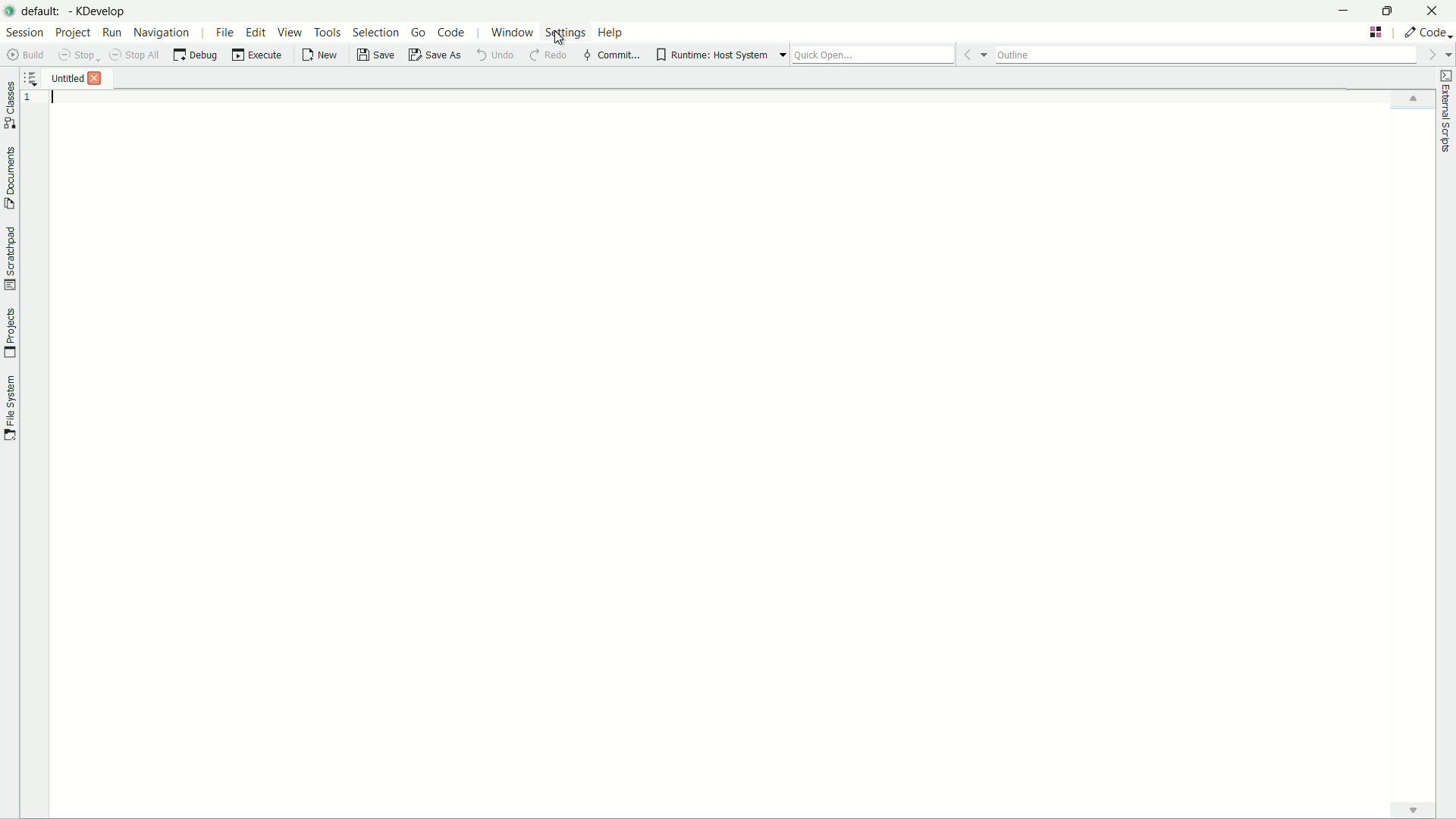 The width and height of the screenshot is (1456, 819). Describe the element at coordinates (72, 33) in the screenshot. I see `project` at that location.